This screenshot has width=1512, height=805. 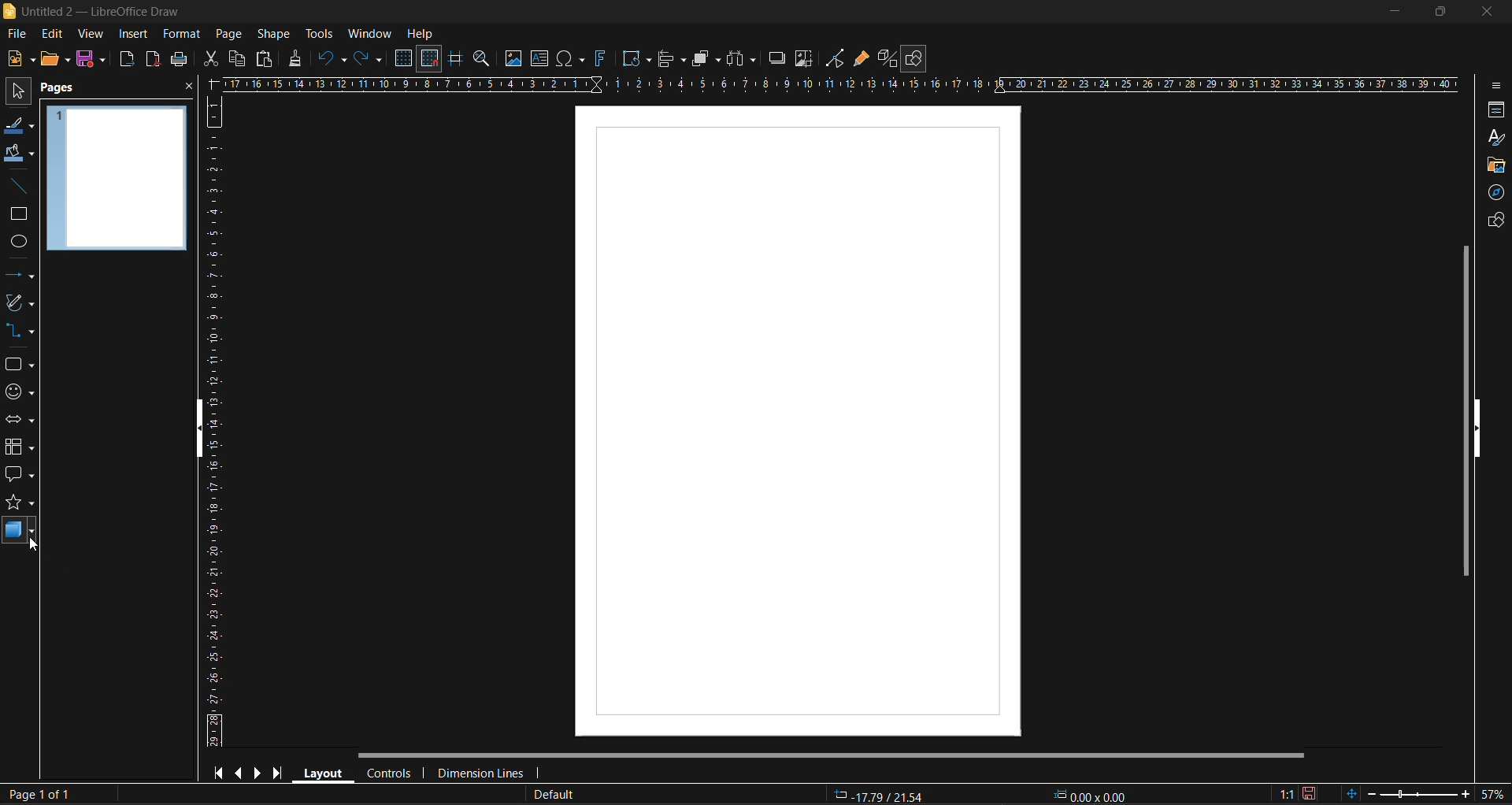 What do you see at coordinates (1354, 793) in the screenshot?
I see `fit to window` at bounding box center [1354, 793].